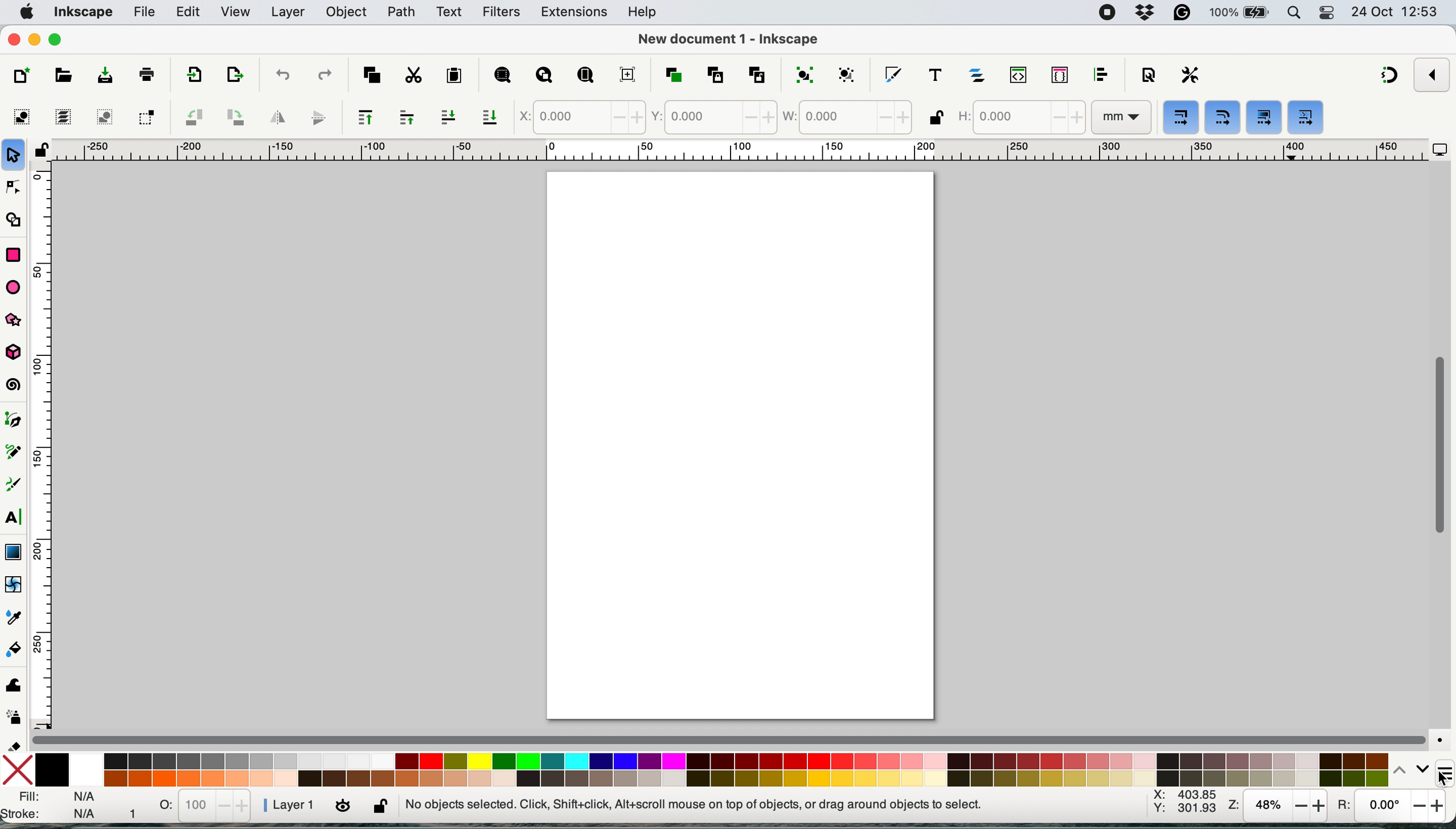 The image size is (1456, 829). Describe the element at coordinates (196, 77) in the screenshot. I see `export` at that location.